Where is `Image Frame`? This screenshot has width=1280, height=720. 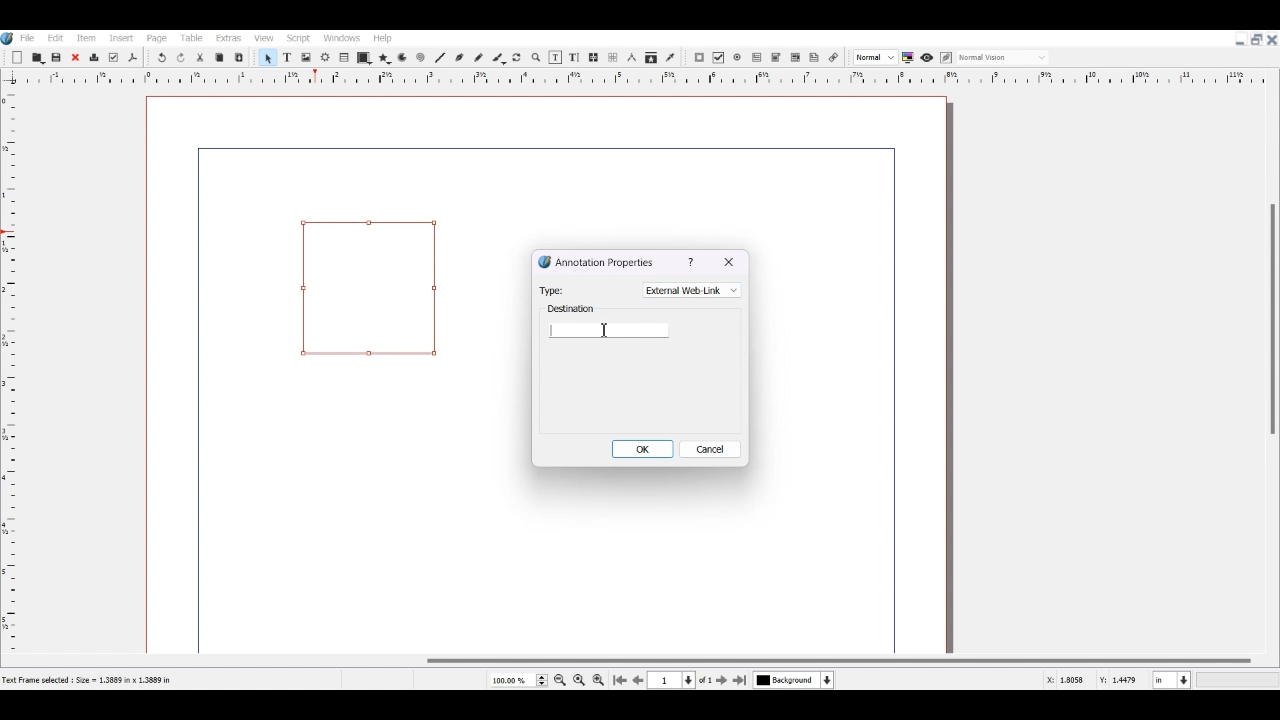
Image Frame is located at coordinates (306, 57).